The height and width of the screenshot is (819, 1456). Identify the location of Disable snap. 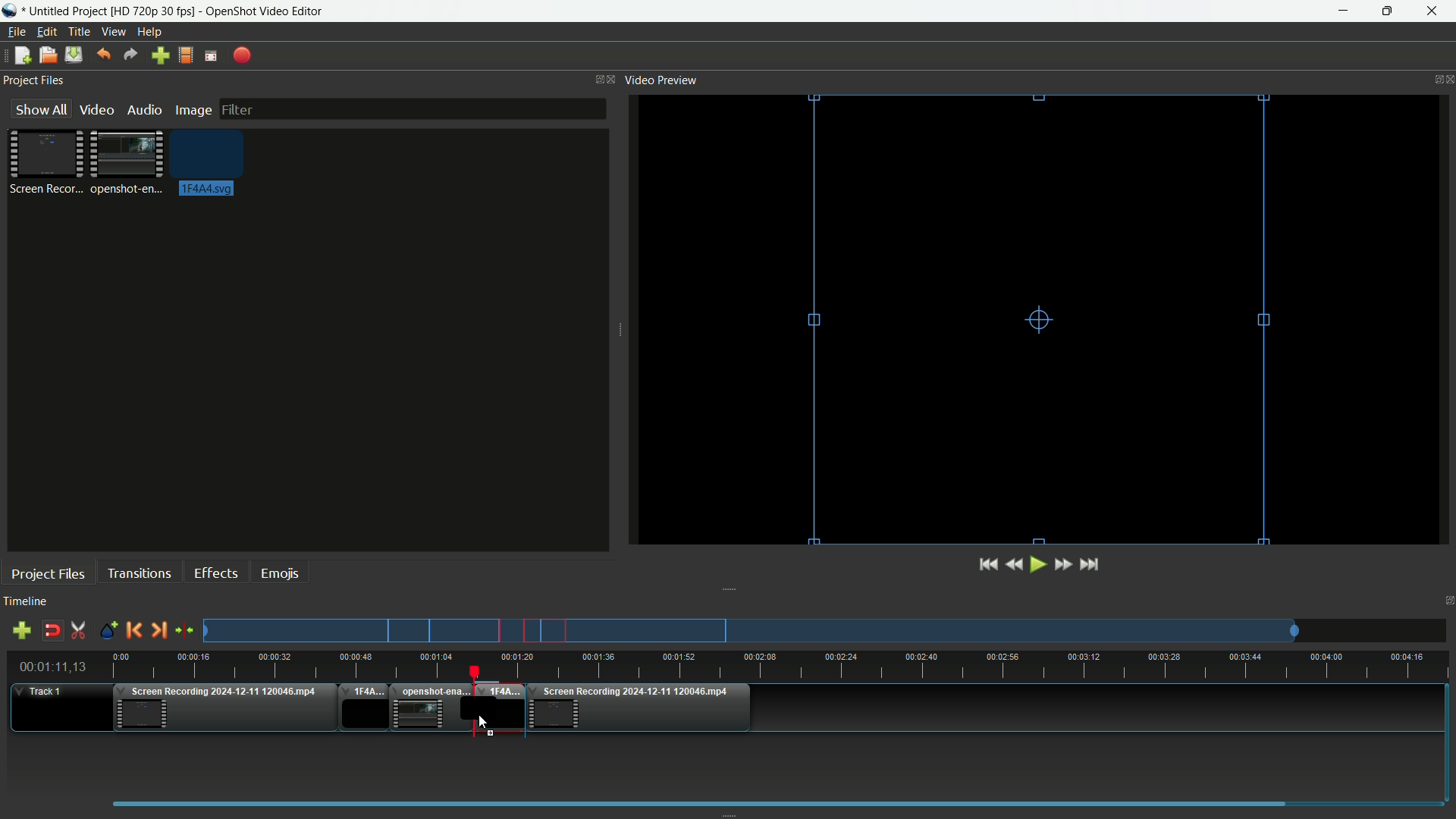
(54, 631).